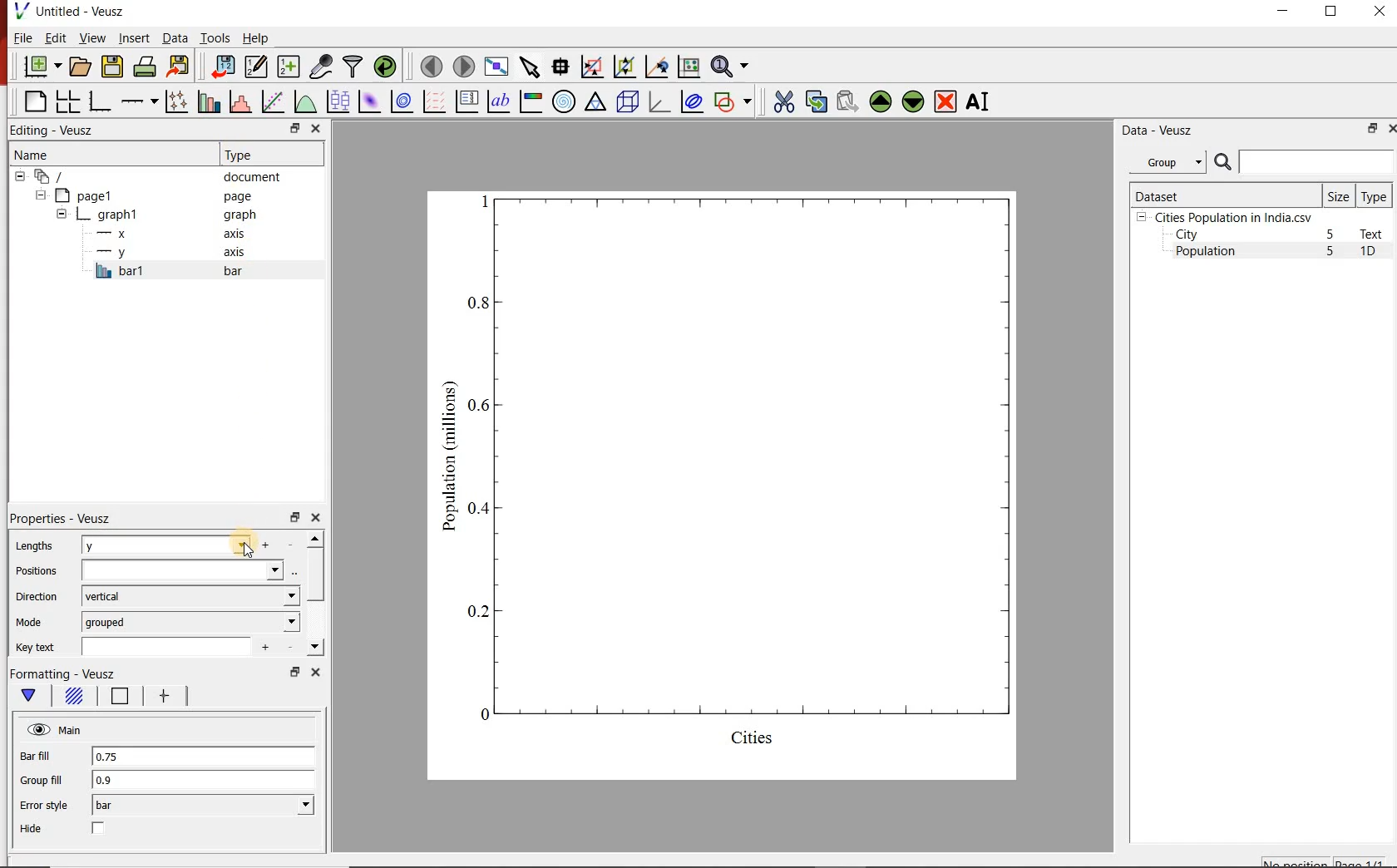 The width and height of the screenshot is (1397, 868). Describe the element at coordinates (294, 516) in the screenshot. I see `restore` at that location.